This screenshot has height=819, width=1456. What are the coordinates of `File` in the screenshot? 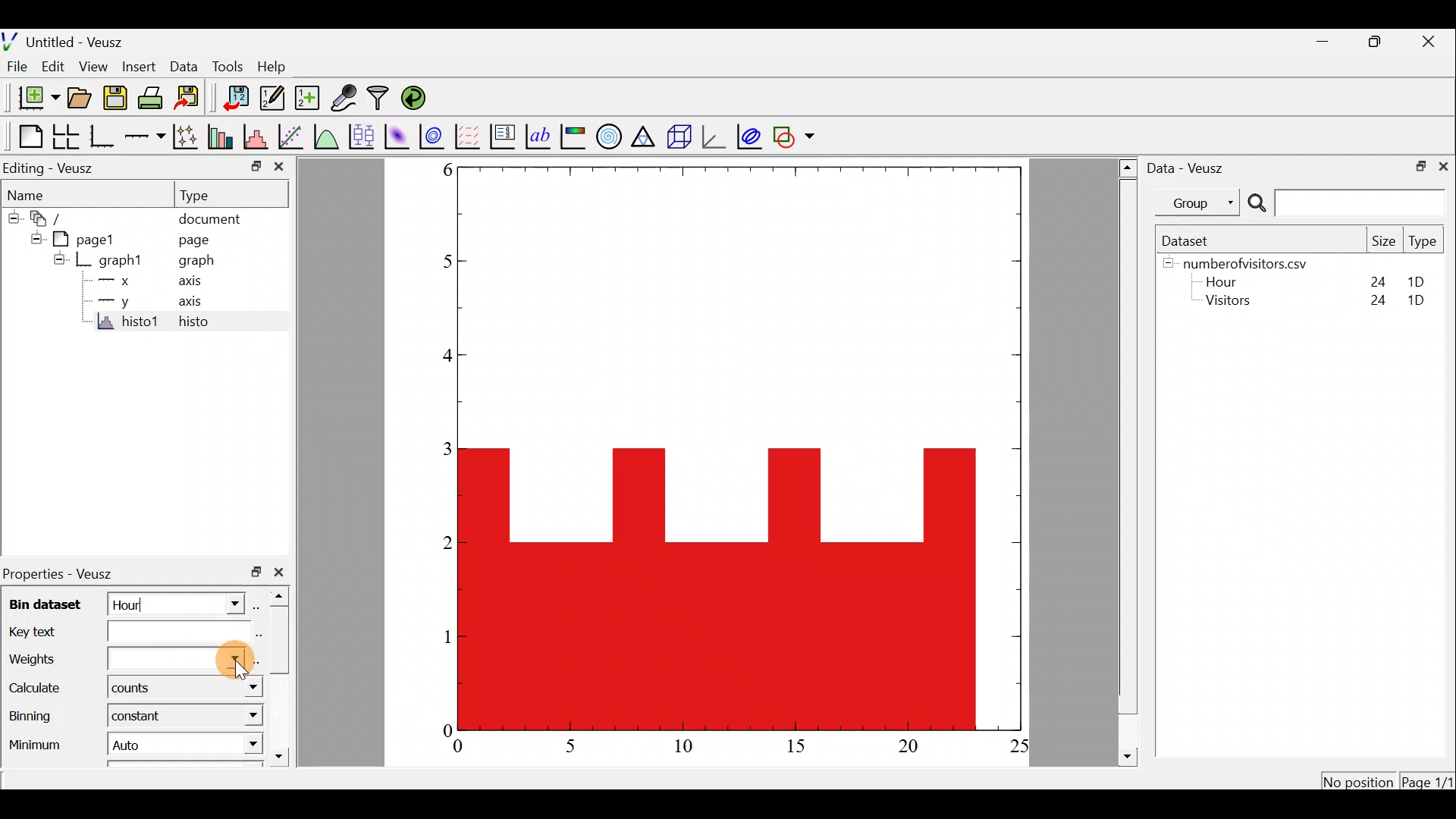 It's located at (17, 67).